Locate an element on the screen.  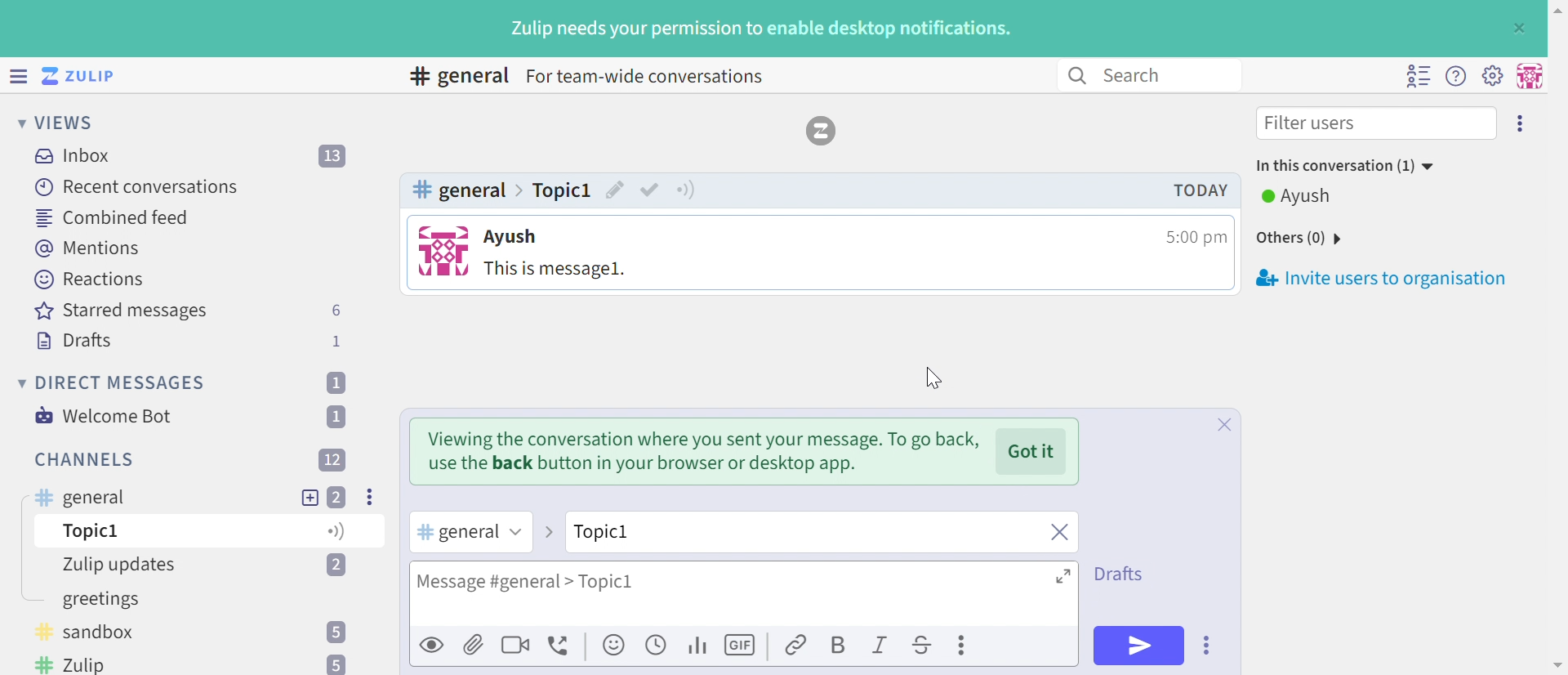
Drop Down is located at coordinates (16, 122).